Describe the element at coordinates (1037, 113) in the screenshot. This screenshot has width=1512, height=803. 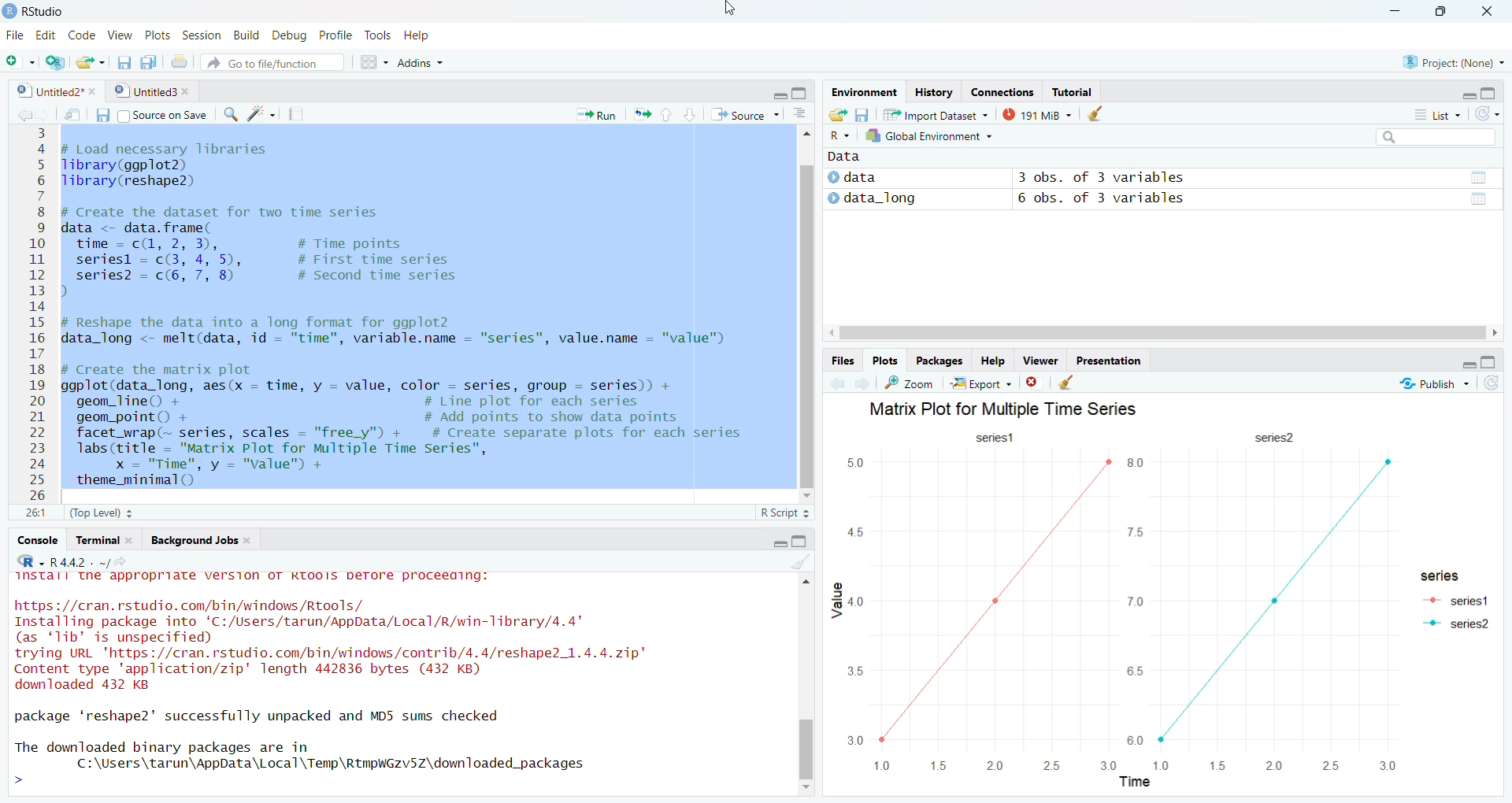
I see `242miB` at that location.